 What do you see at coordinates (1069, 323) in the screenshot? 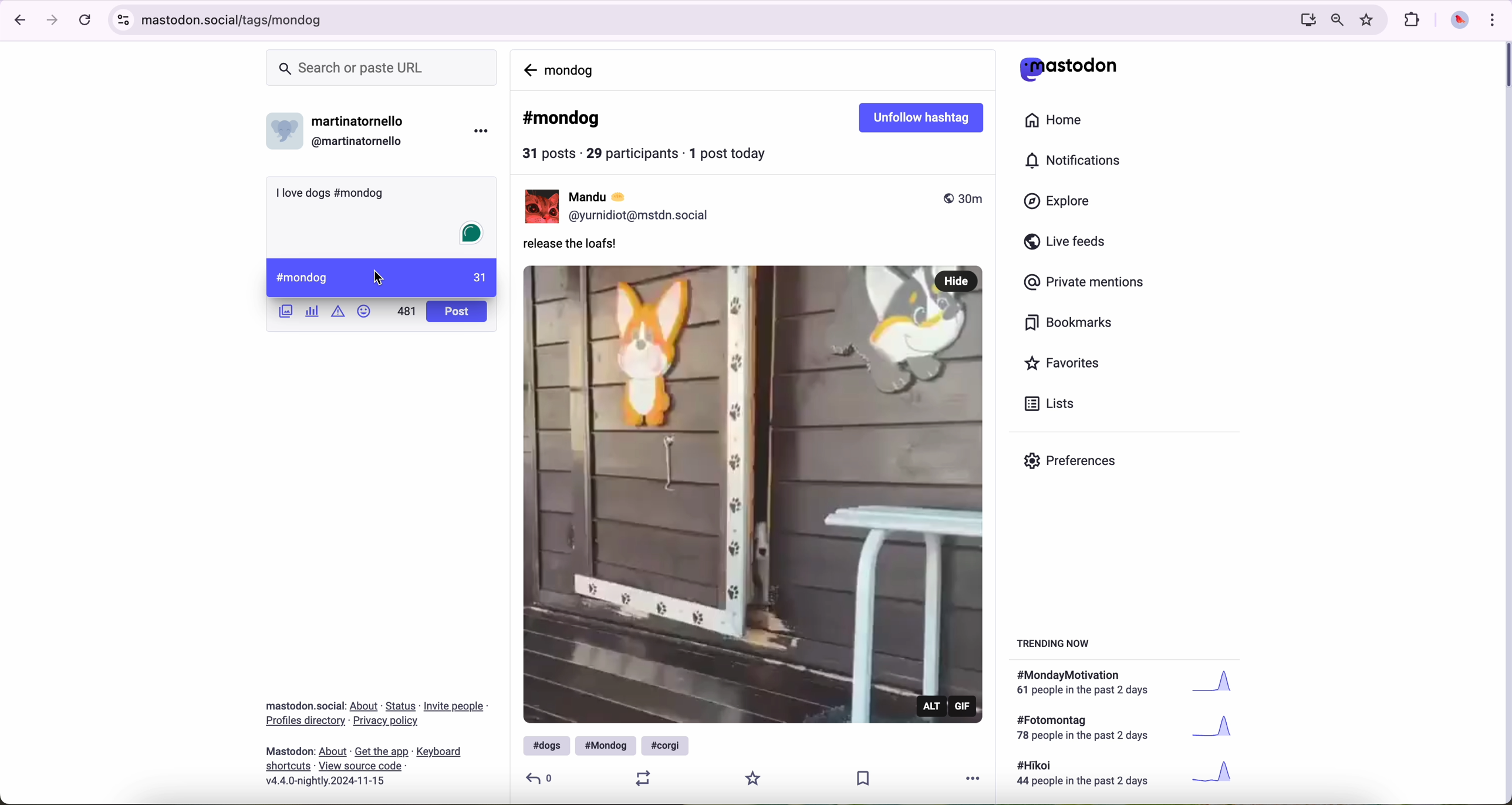
I see `bookmarks` at bounding box center [1069, 323].